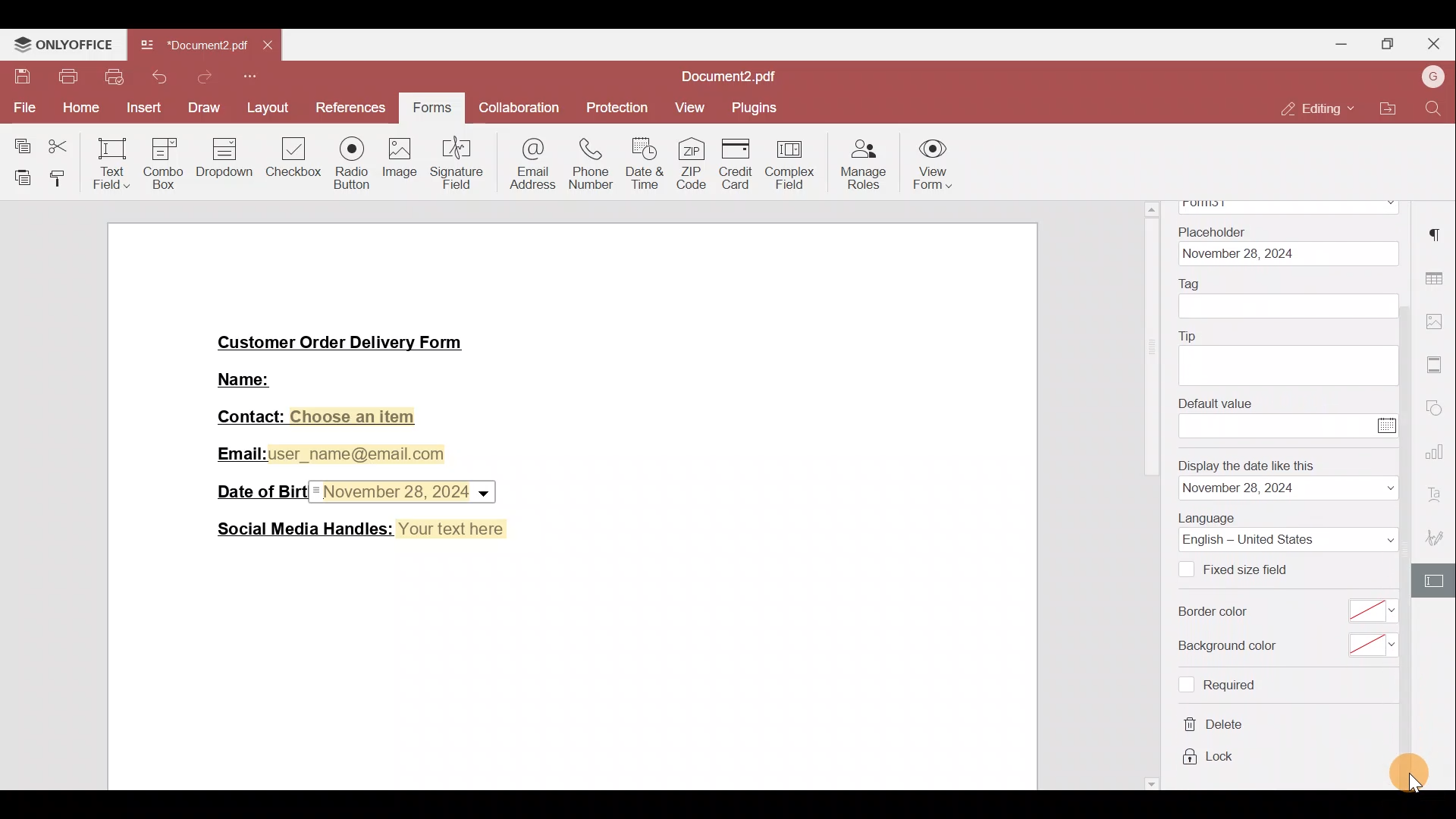 This screenshot has height=819, width=1456. I want to click on Minimise, so click(1341, 46).